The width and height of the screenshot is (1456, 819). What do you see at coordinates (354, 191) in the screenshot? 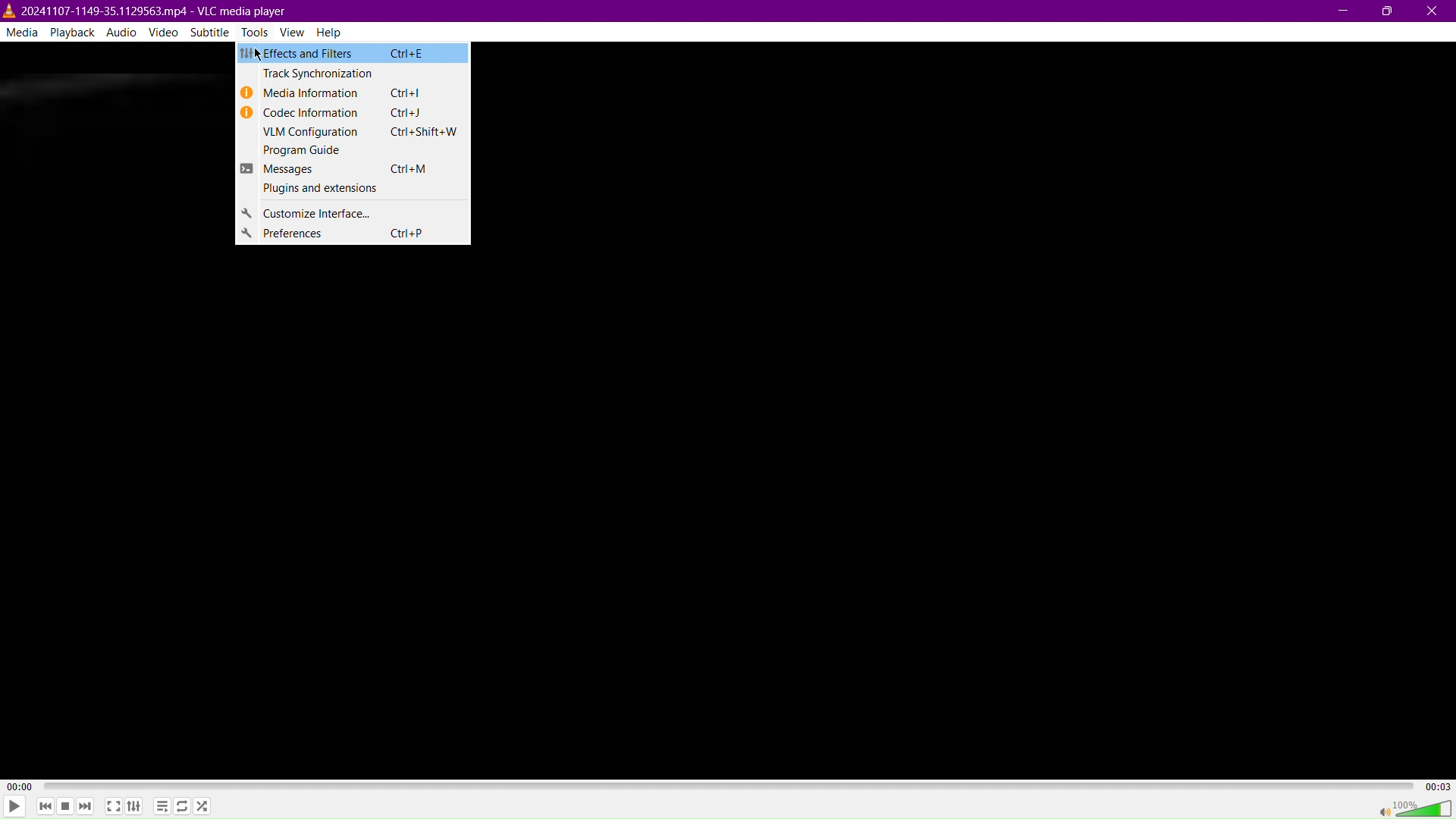
I see `Plugins and extensions` at bounding box center [354, 191].